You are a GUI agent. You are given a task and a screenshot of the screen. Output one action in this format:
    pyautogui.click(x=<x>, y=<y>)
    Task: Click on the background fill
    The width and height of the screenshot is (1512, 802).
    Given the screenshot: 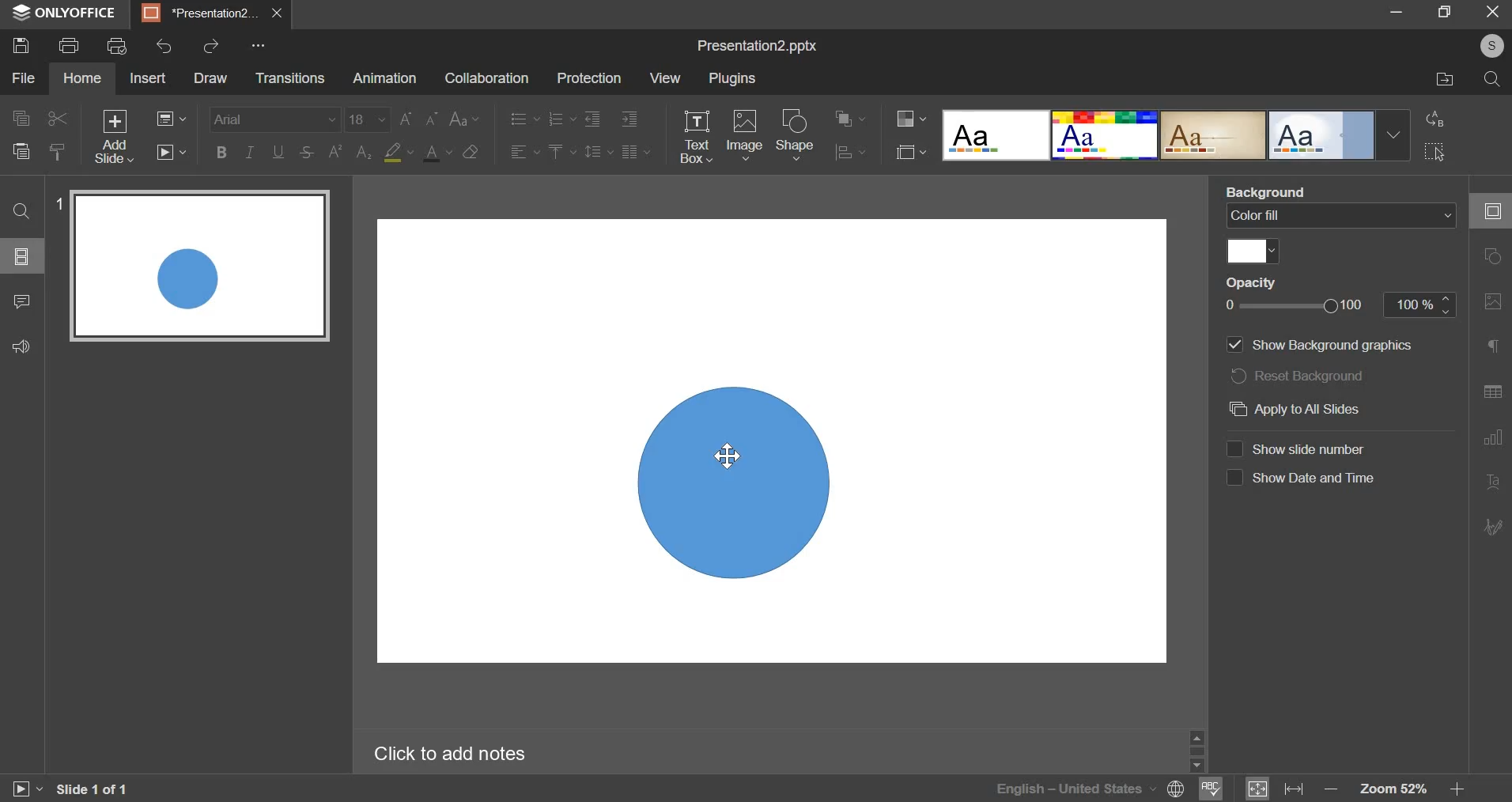 What is the action you would take?
    pyautogui.click(x=1343, y=215)
    